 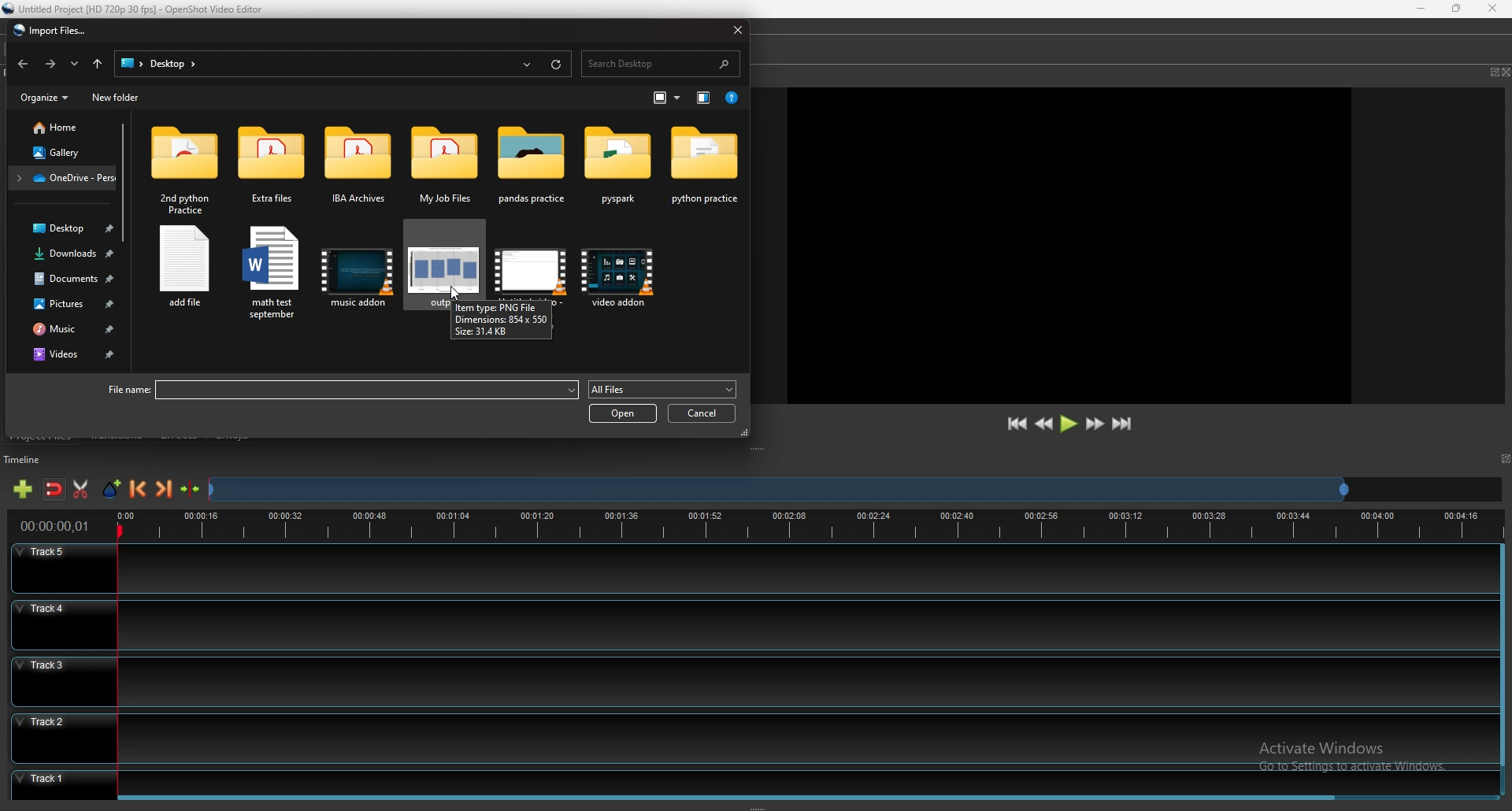 I want to click on add track, so click(x=23, y=489).